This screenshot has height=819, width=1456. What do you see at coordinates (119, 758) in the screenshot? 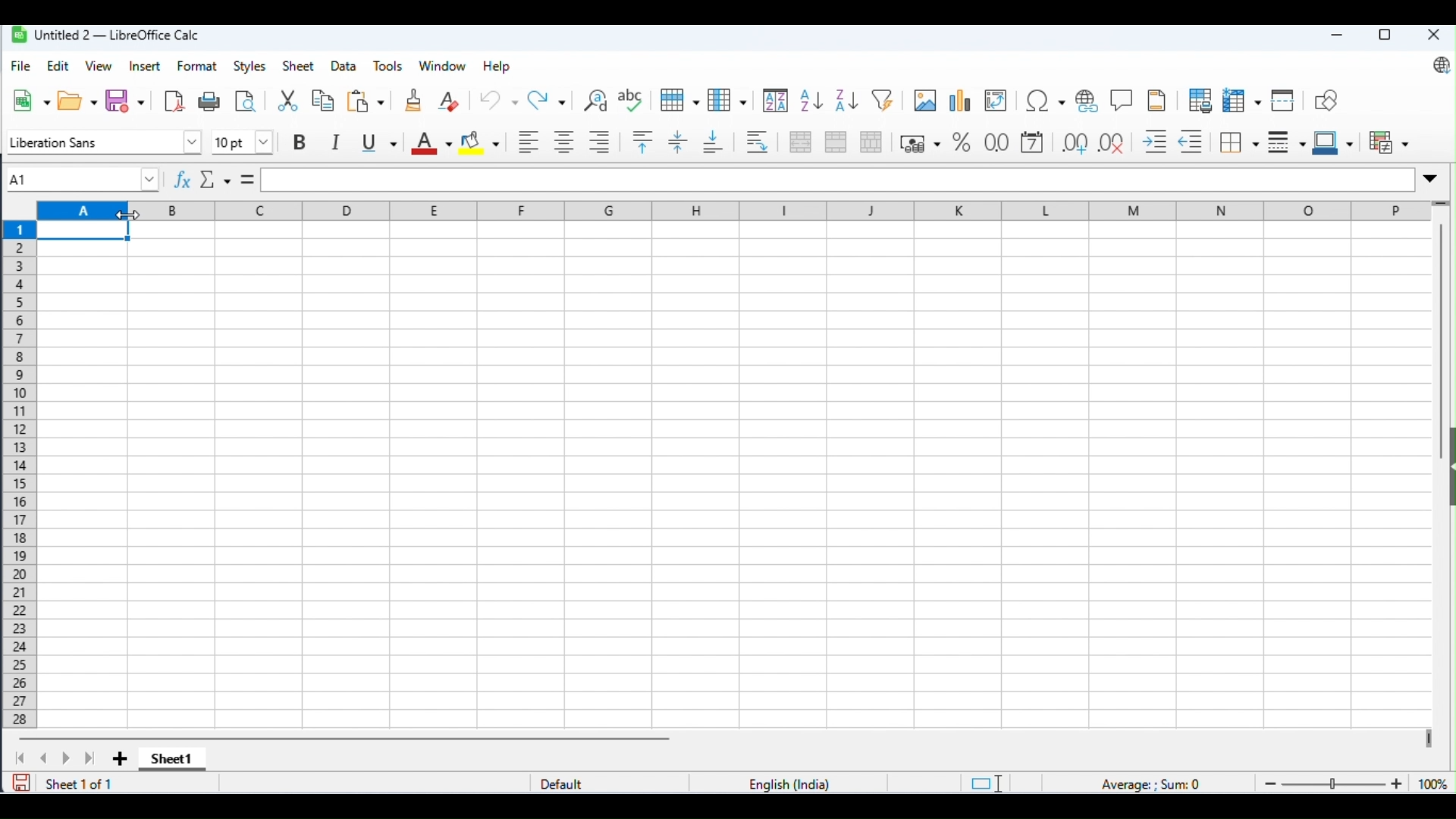
I see `add sheet` at bounding box center [119, 758].